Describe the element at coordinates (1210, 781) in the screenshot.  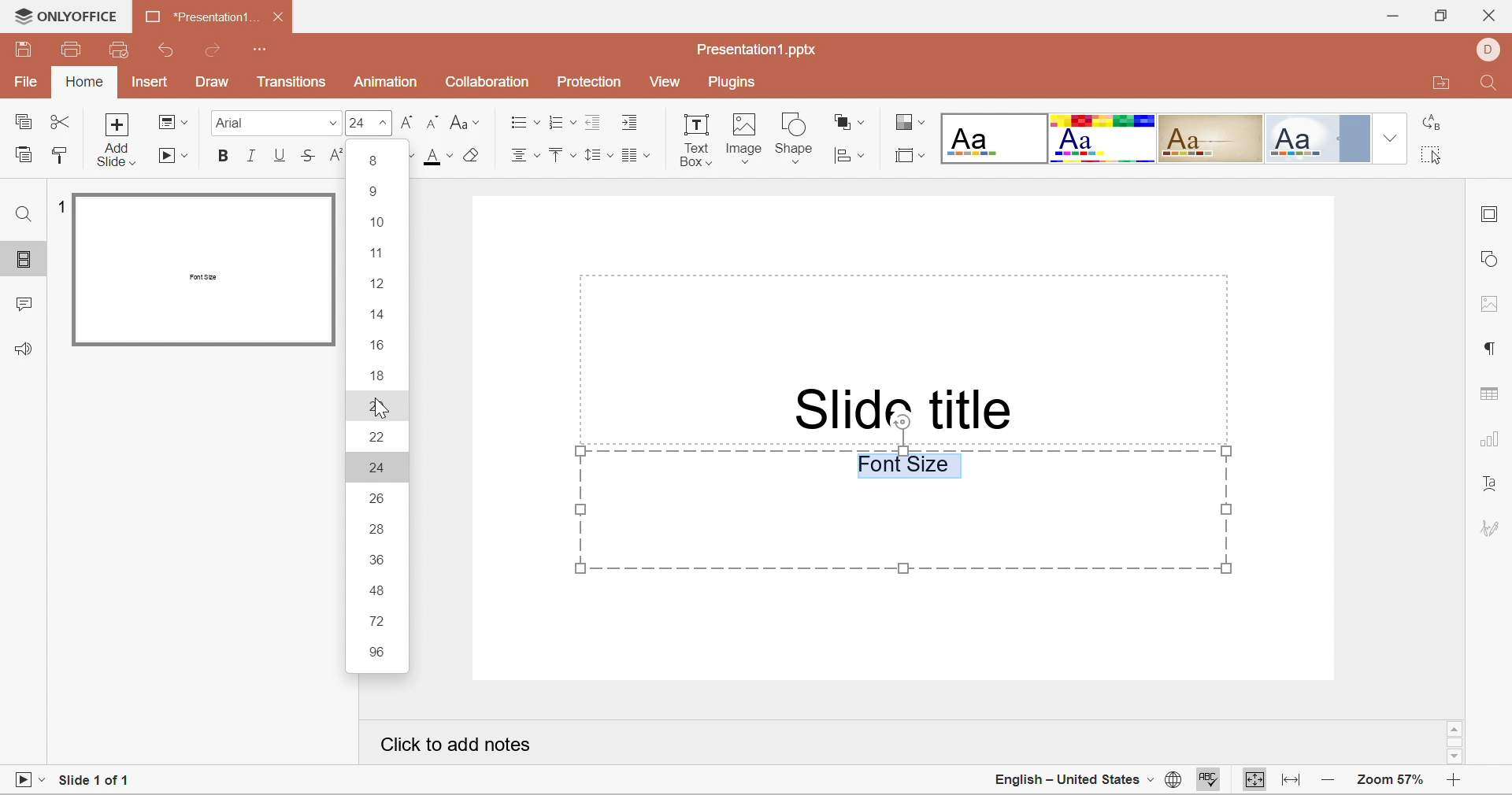
I see `Spell Checking` at that location.